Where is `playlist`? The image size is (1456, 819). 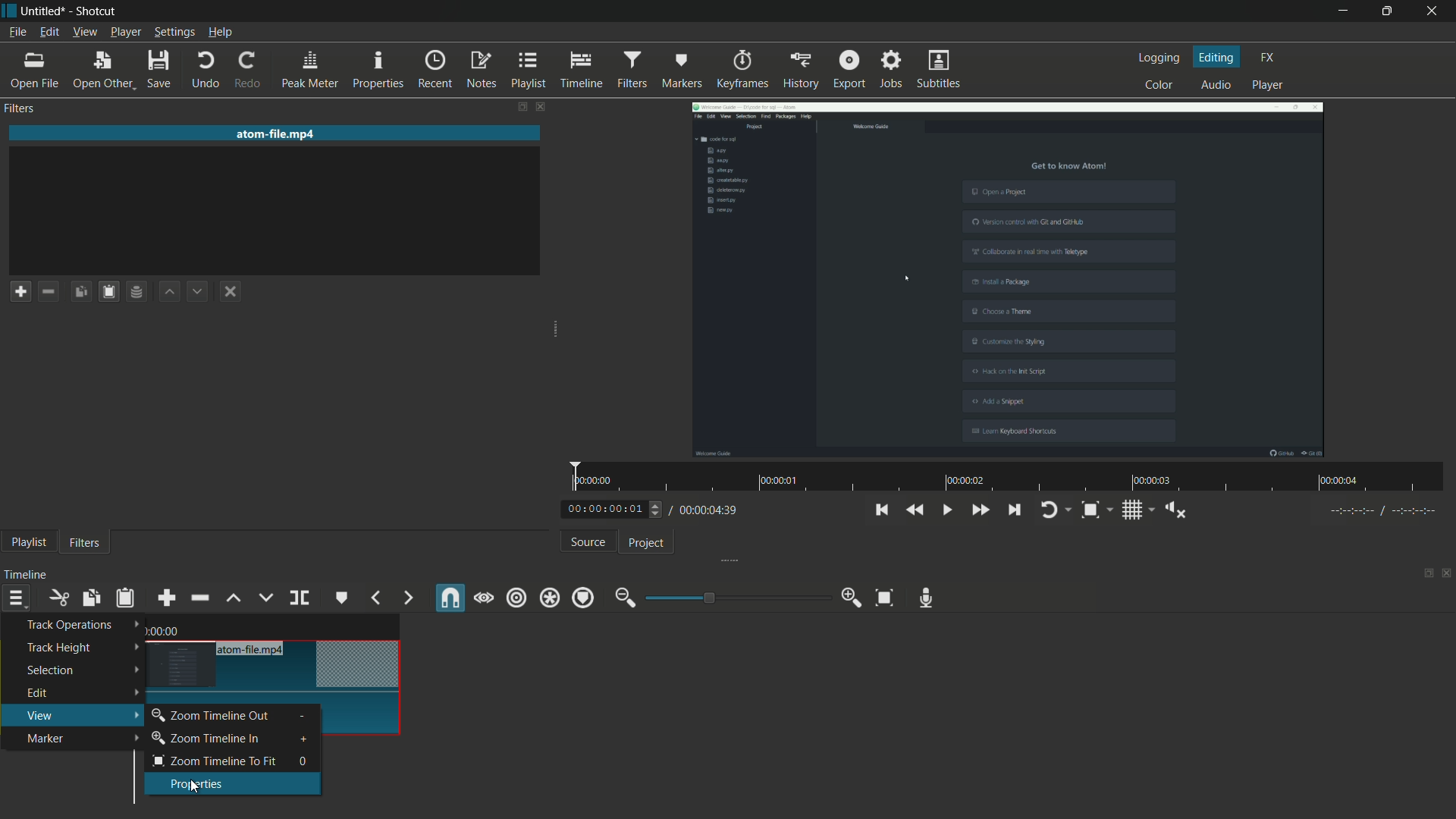 playlist is located at coordinates (29, 542).